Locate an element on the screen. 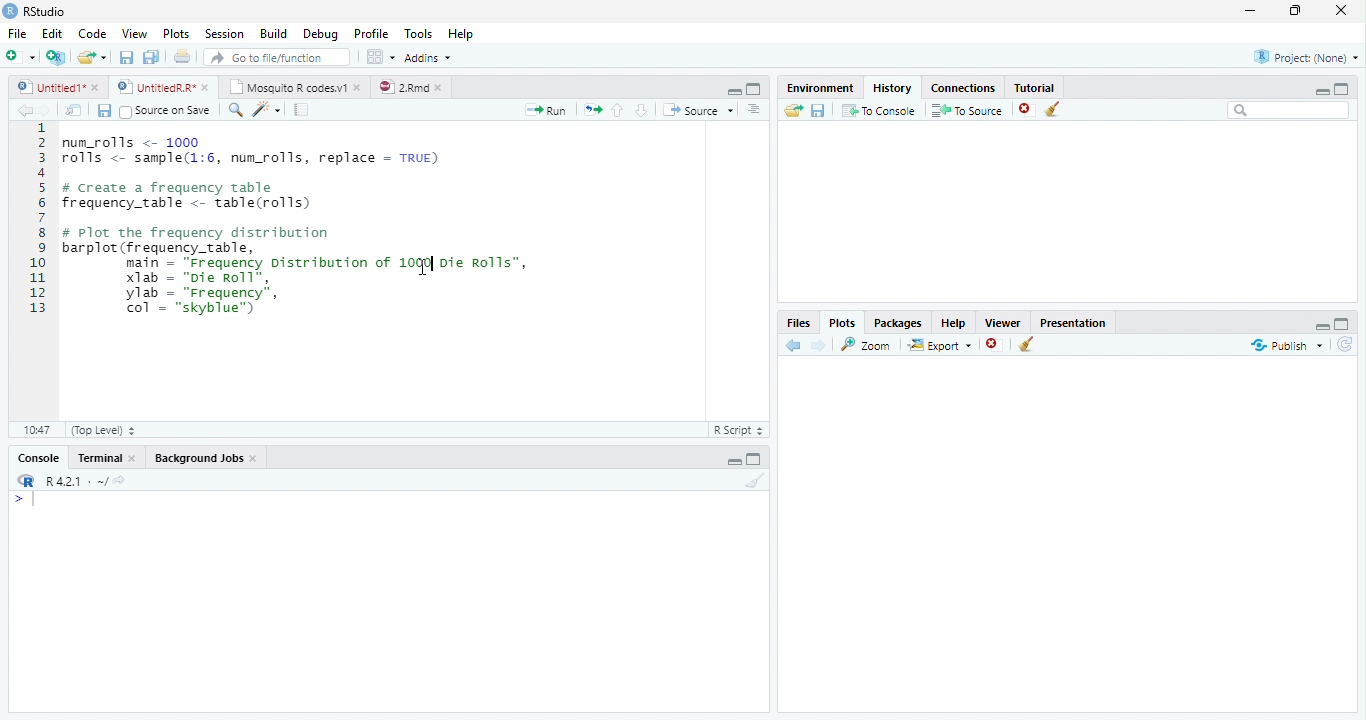 This screenshot has width=1366, height=720. View is located at coordinates (135, 32).